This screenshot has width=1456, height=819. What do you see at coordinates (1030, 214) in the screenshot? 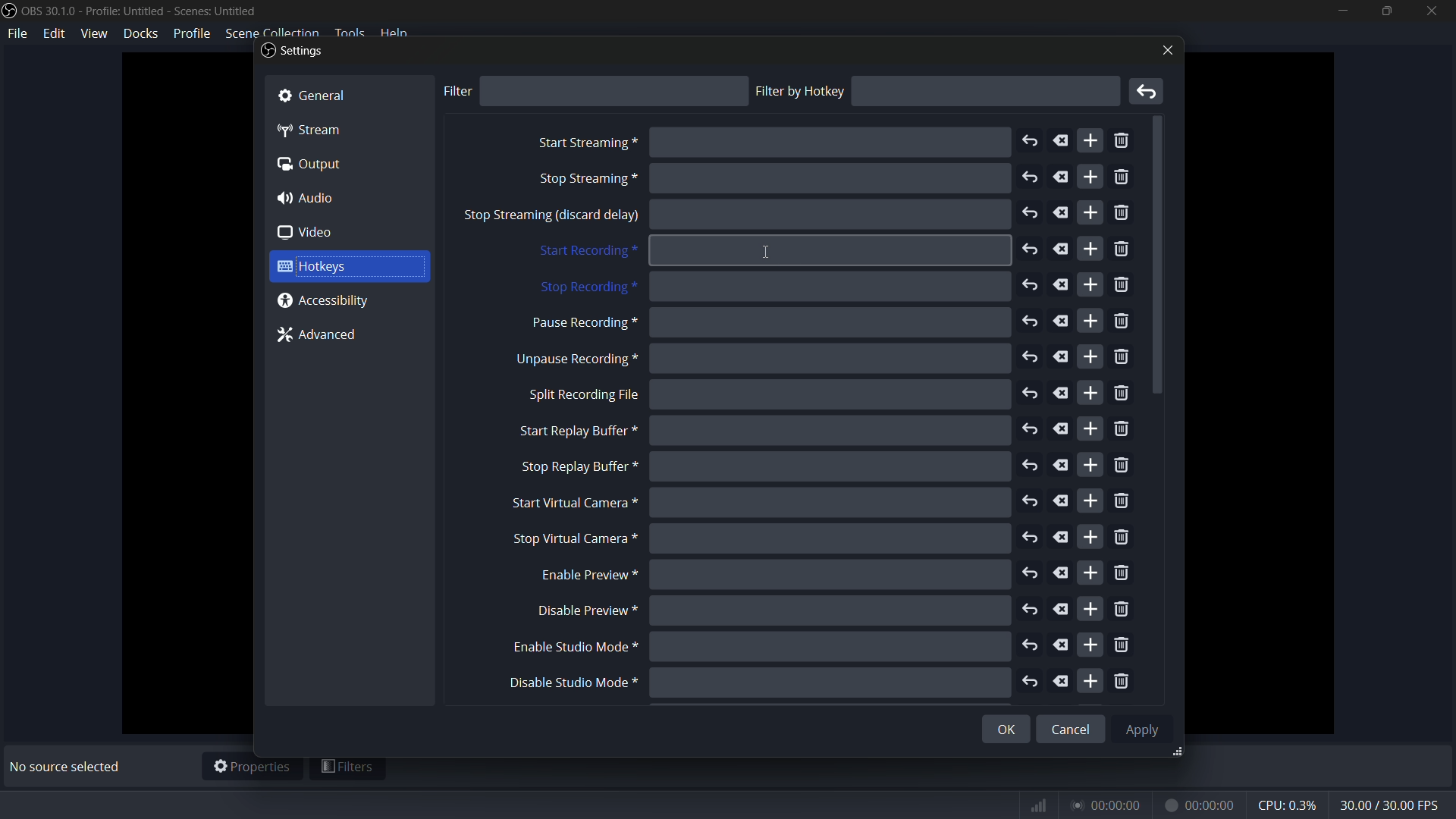
I see `undo` at bounding box center [1030, 214].